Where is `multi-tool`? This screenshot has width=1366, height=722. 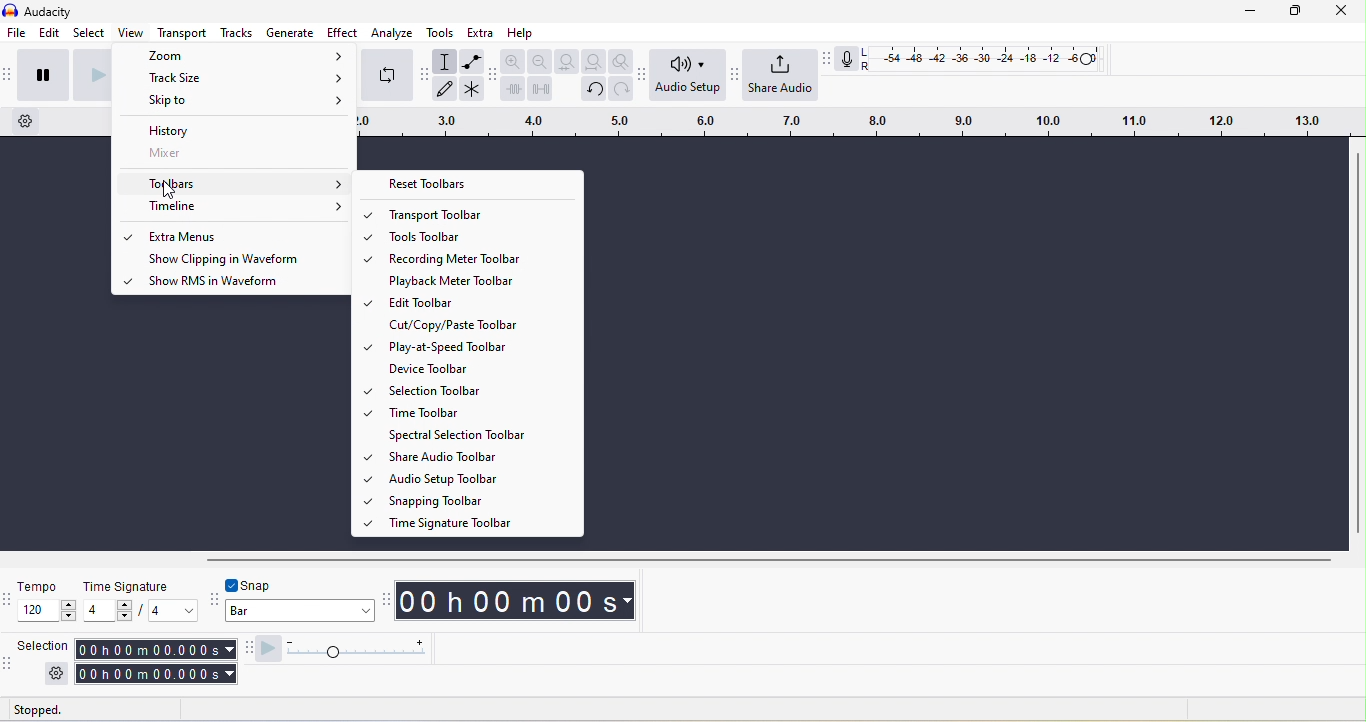 multi-tool is located at coordinates (472, 89).